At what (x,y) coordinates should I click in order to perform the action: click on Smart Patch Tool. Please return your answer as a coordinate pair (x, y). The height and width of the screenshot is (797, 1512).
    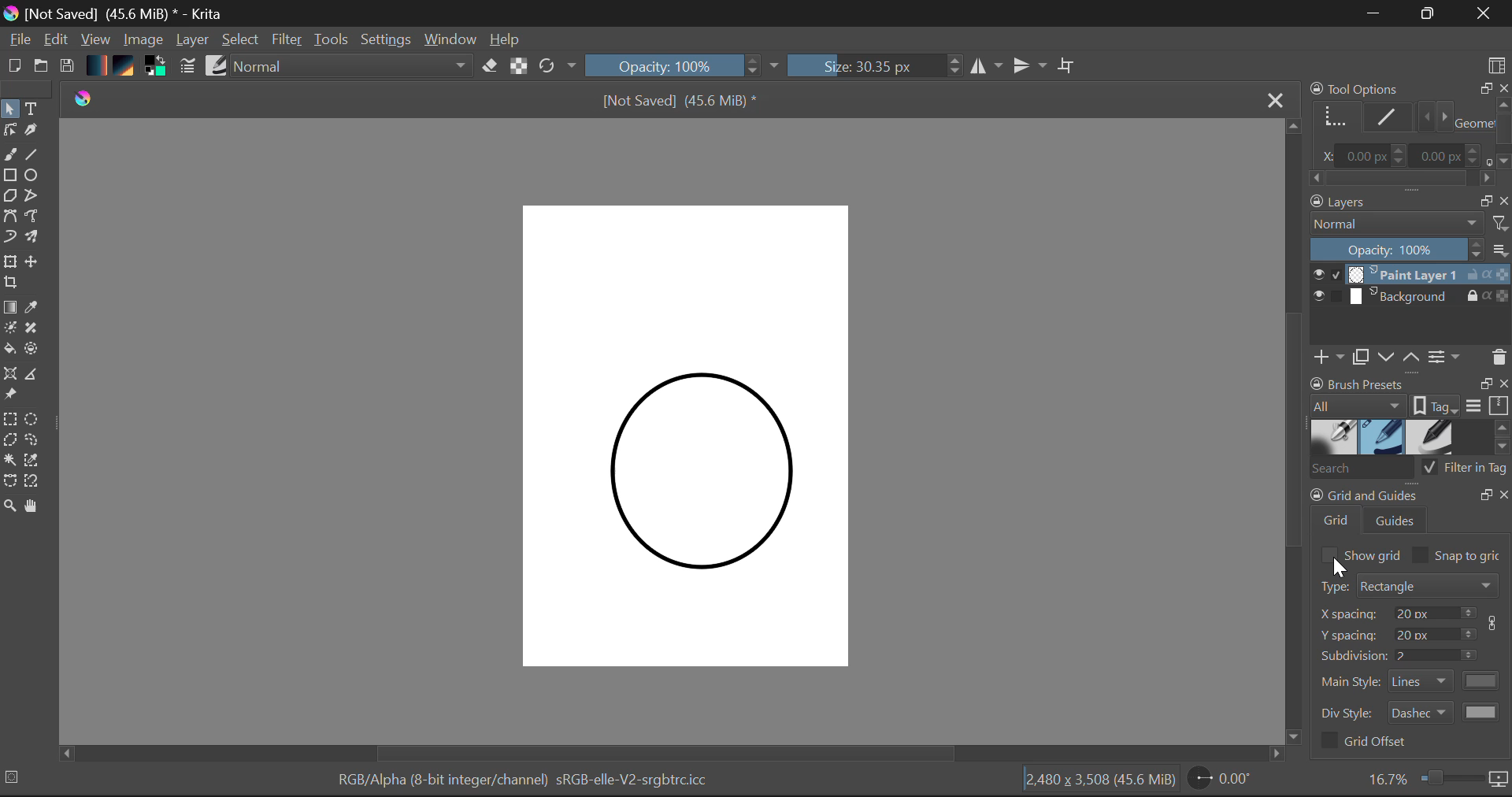
    Looking at the image, I should click on (36, 328).